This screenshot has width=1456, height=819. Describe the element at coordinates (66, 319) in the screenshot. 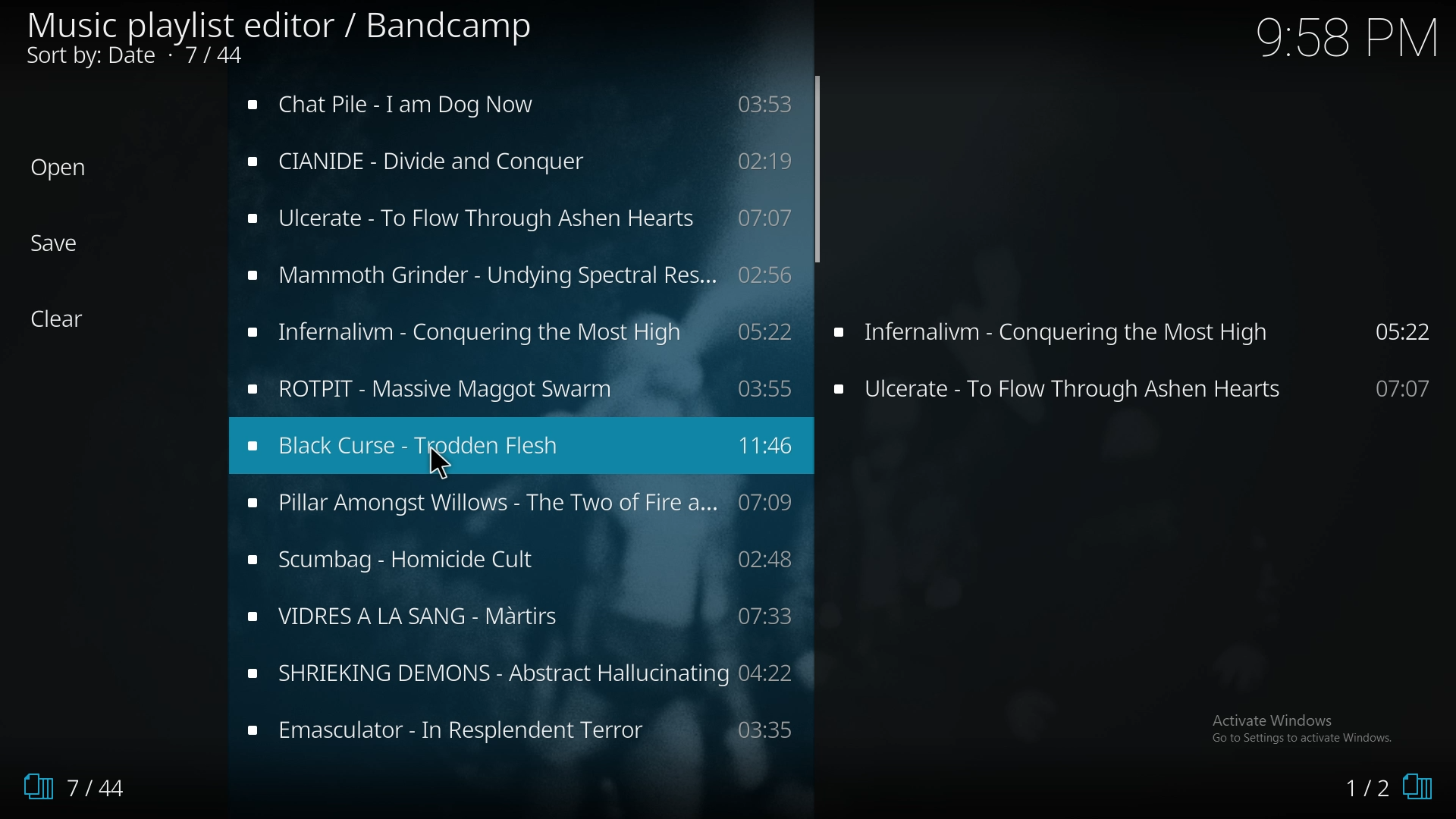

I see `Clear` at that location.